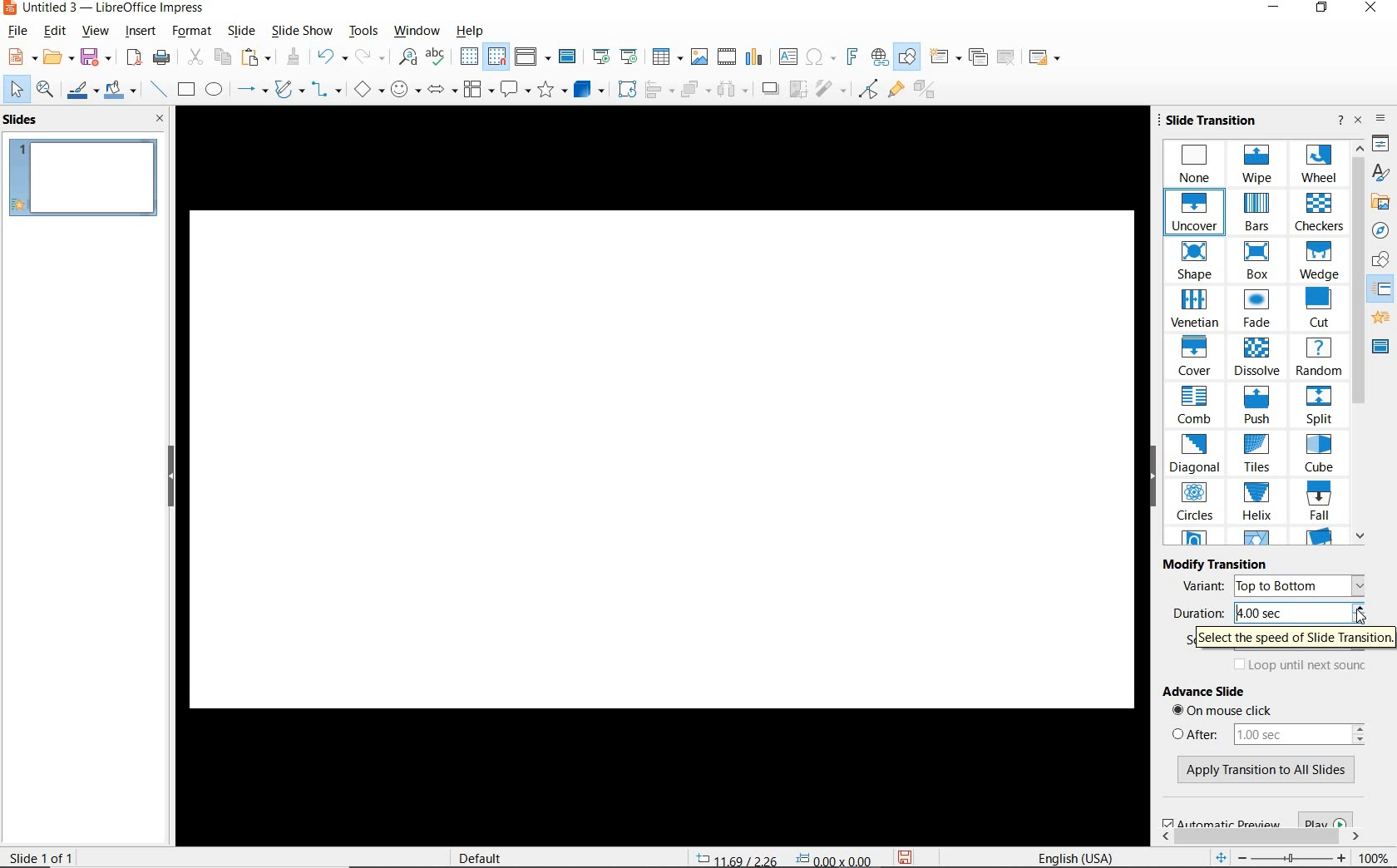 This screenshot has width=1397, height=868. Describe the element at coordinates (831, 91) in the screenshot. I see `FILTER` at that location.